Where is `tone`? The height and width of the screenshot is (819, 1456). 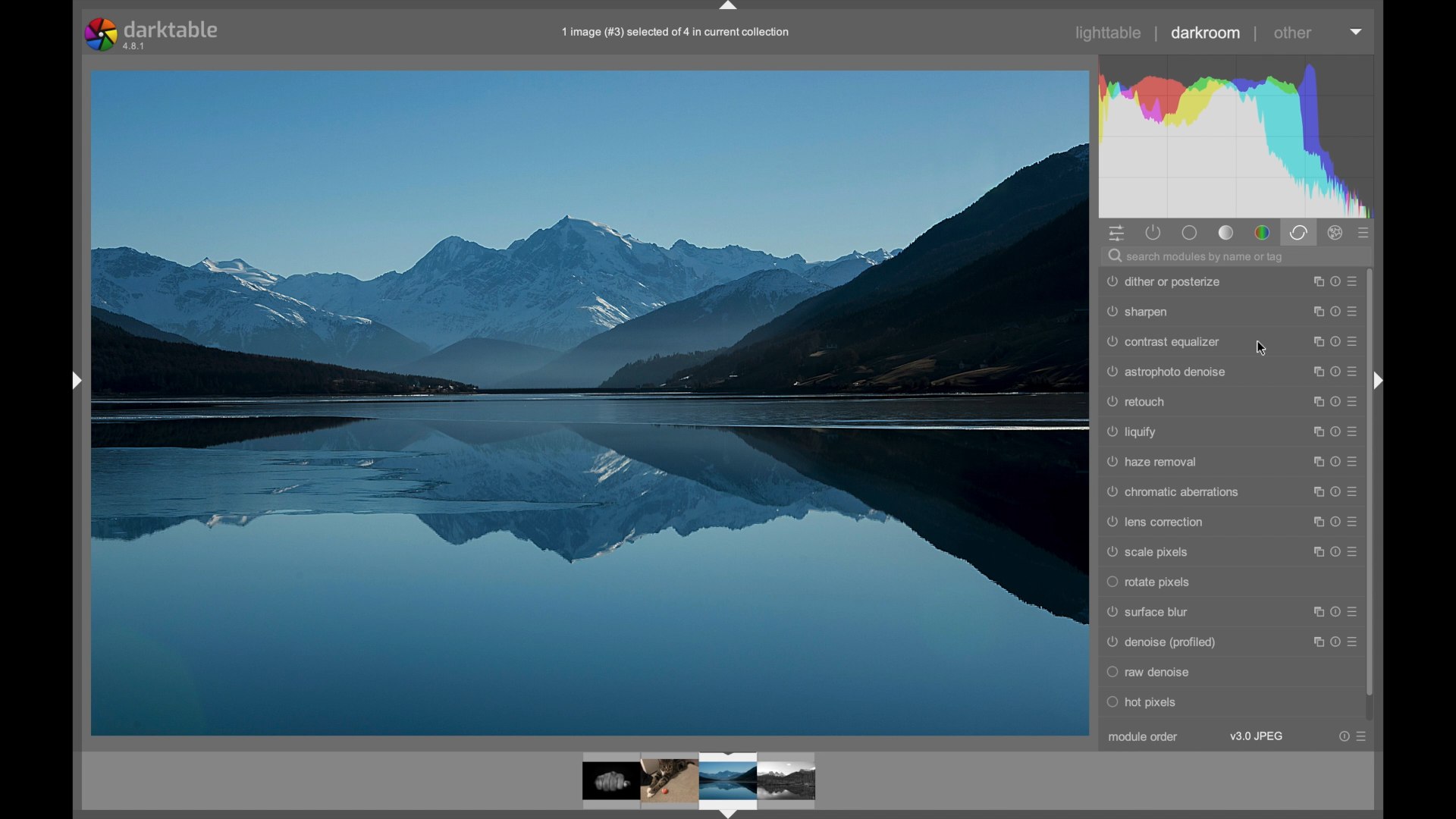 tone is located at coordinates (1227, 232).